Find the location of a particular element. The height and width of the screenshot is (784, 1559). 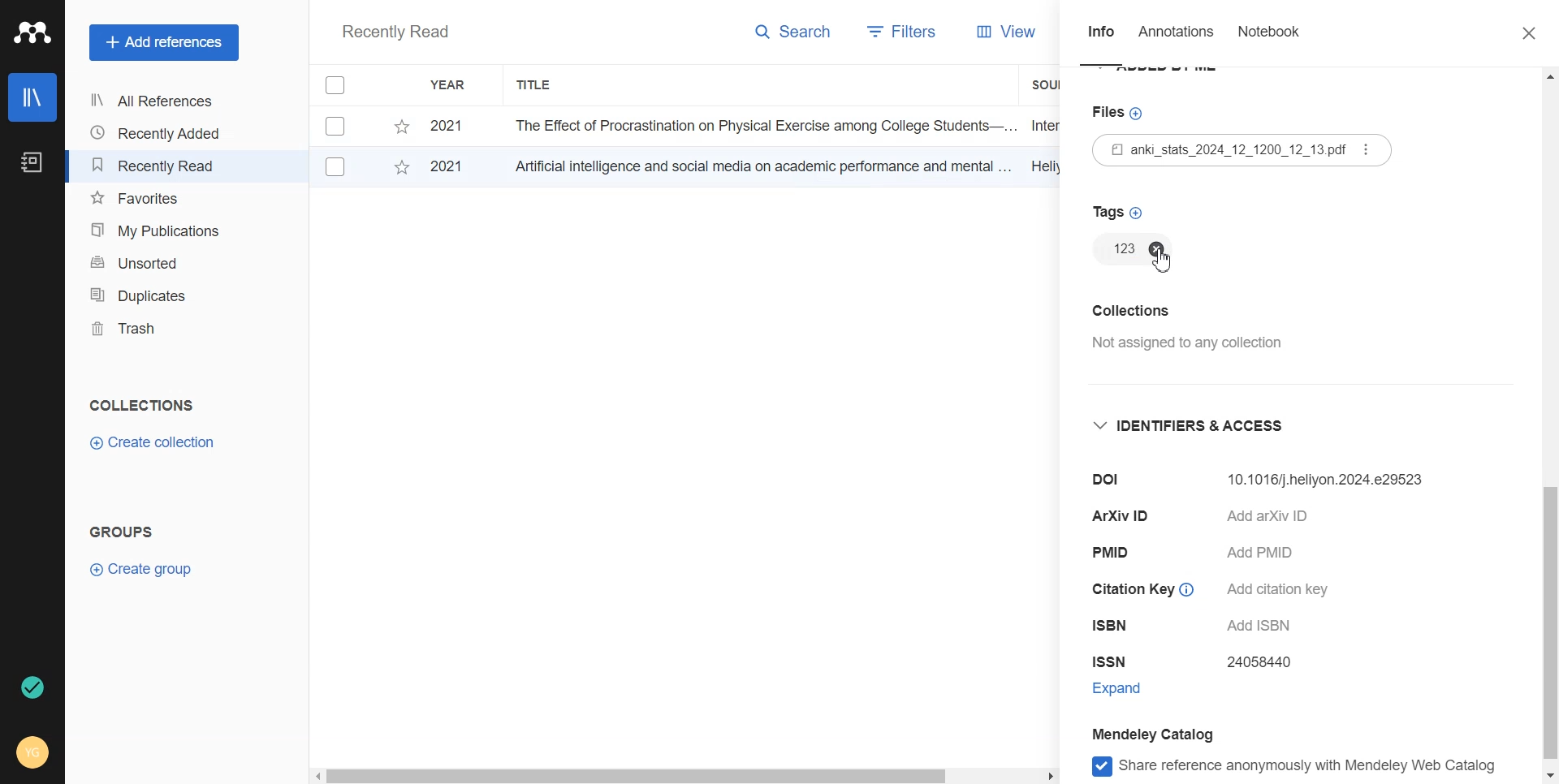

Identifier and access is located at coordinates (1201, 431).